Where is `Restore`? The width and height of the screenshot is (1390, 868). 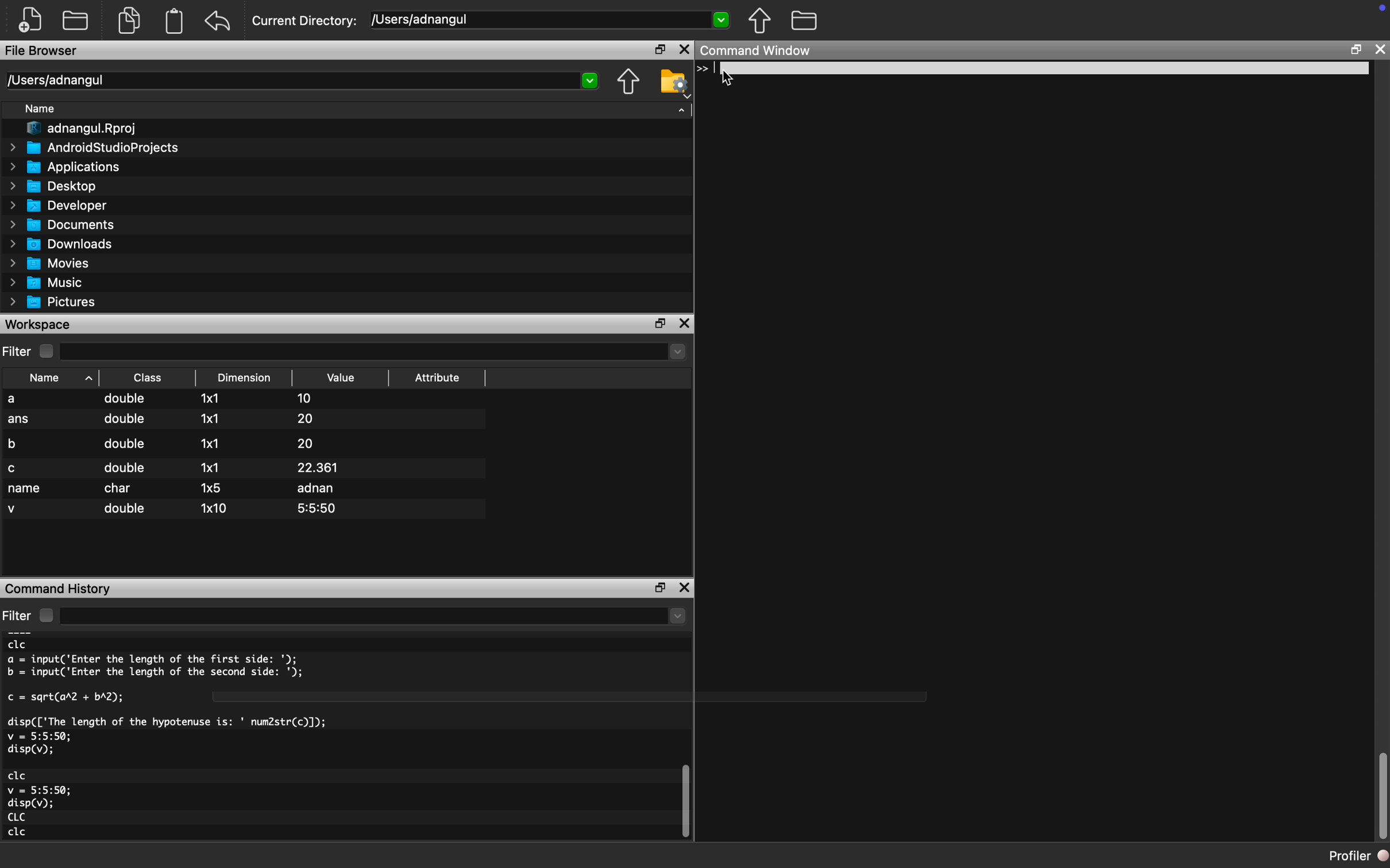 Restore is located at coordinates (655, 586).